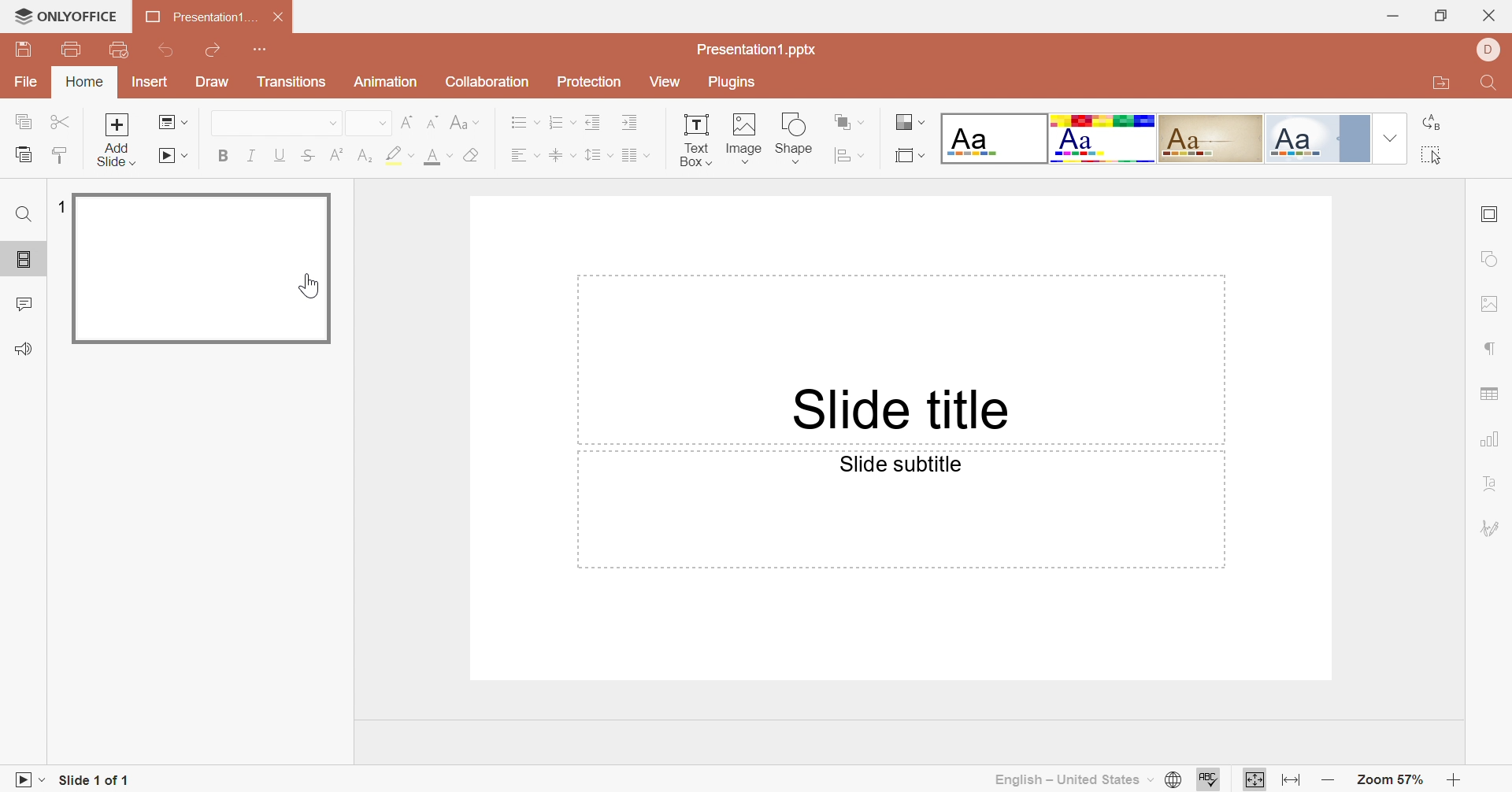 The height and width of the screenshot is (792, 1512). What do you see at coordinates (1429, 124) in the screenshot?
I see `Replace` at bounding box center [1429, 124].